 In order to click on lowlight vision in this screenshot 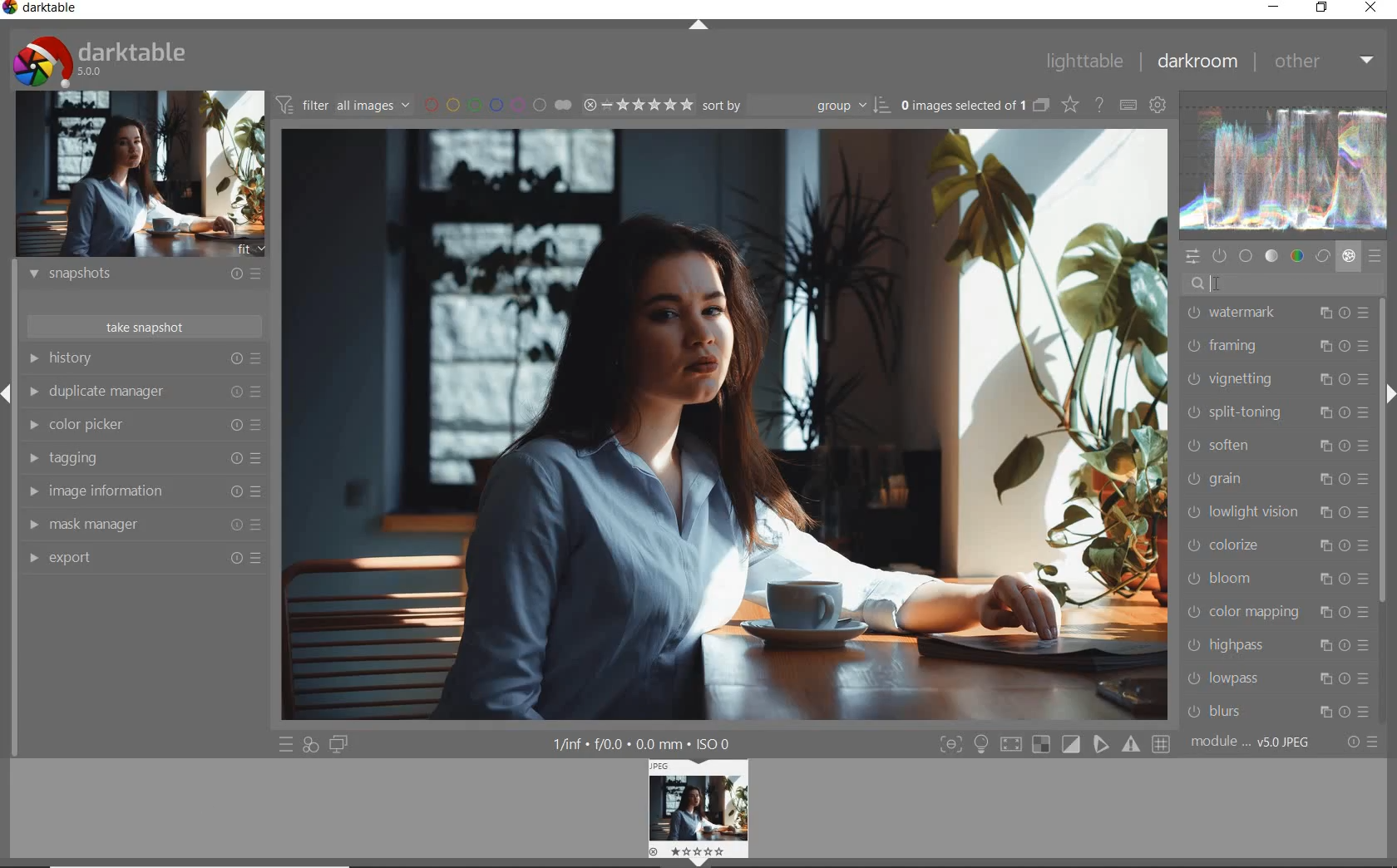, I will do `click(1279, 510)`.